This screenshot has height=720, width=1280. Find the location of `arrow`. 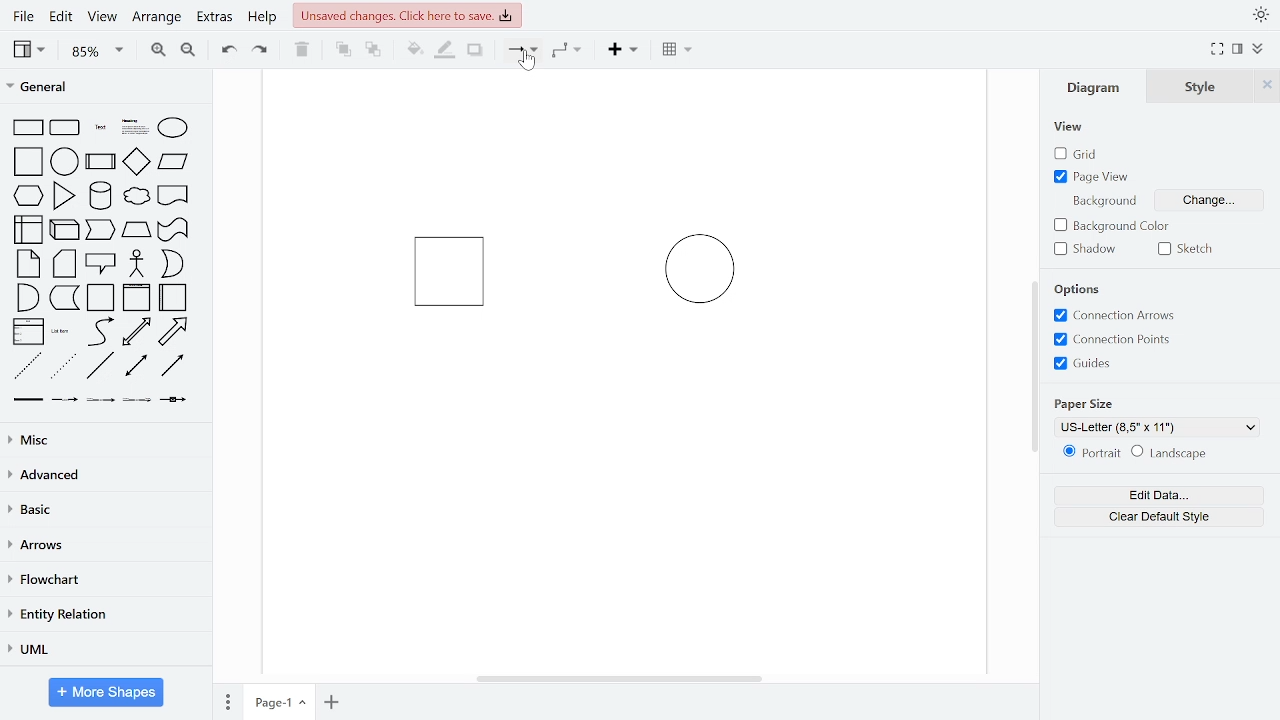

arrow is located at coordinates (173, 332).